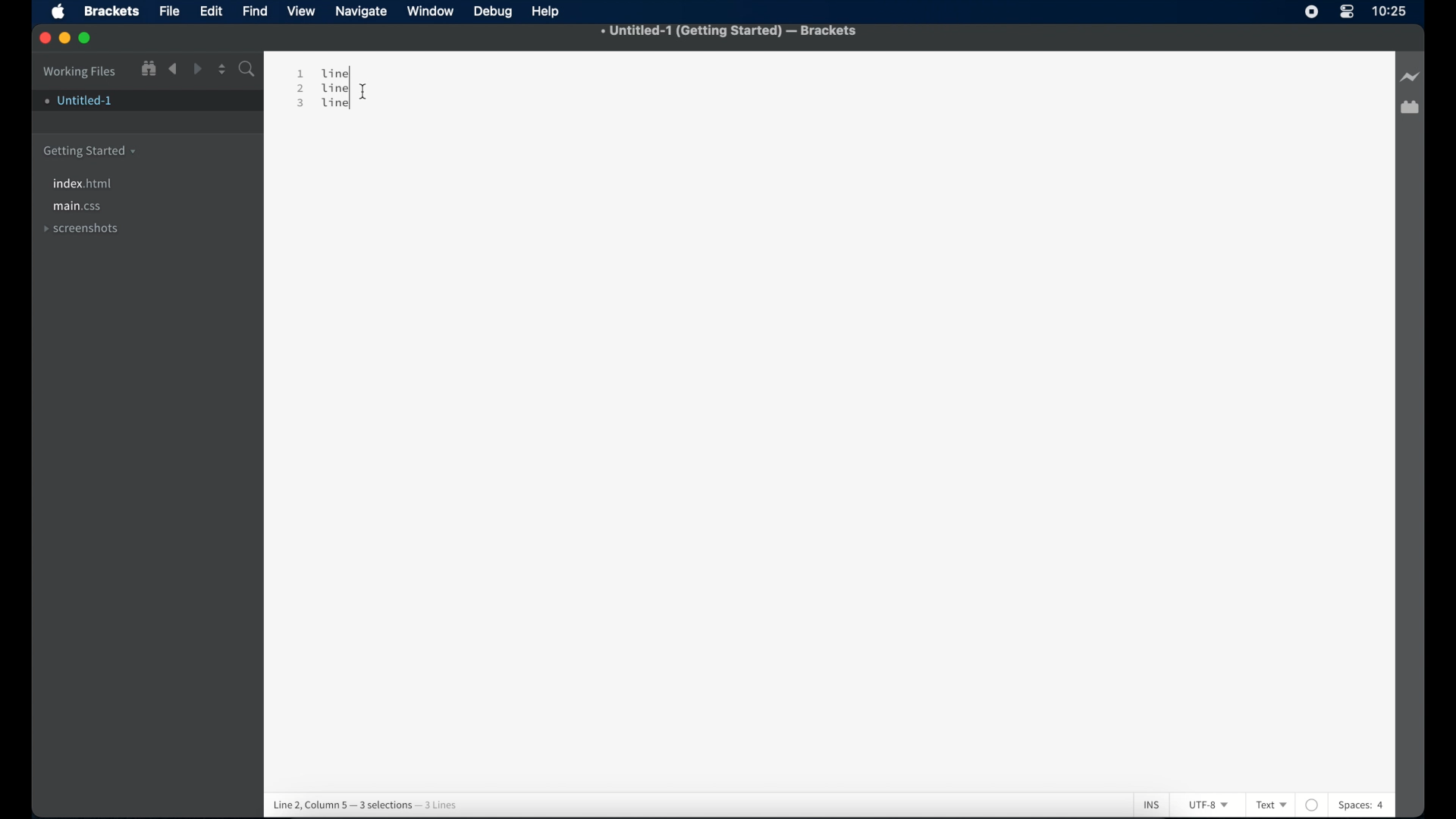  I want to click on 10;25, so click(1390, 15).